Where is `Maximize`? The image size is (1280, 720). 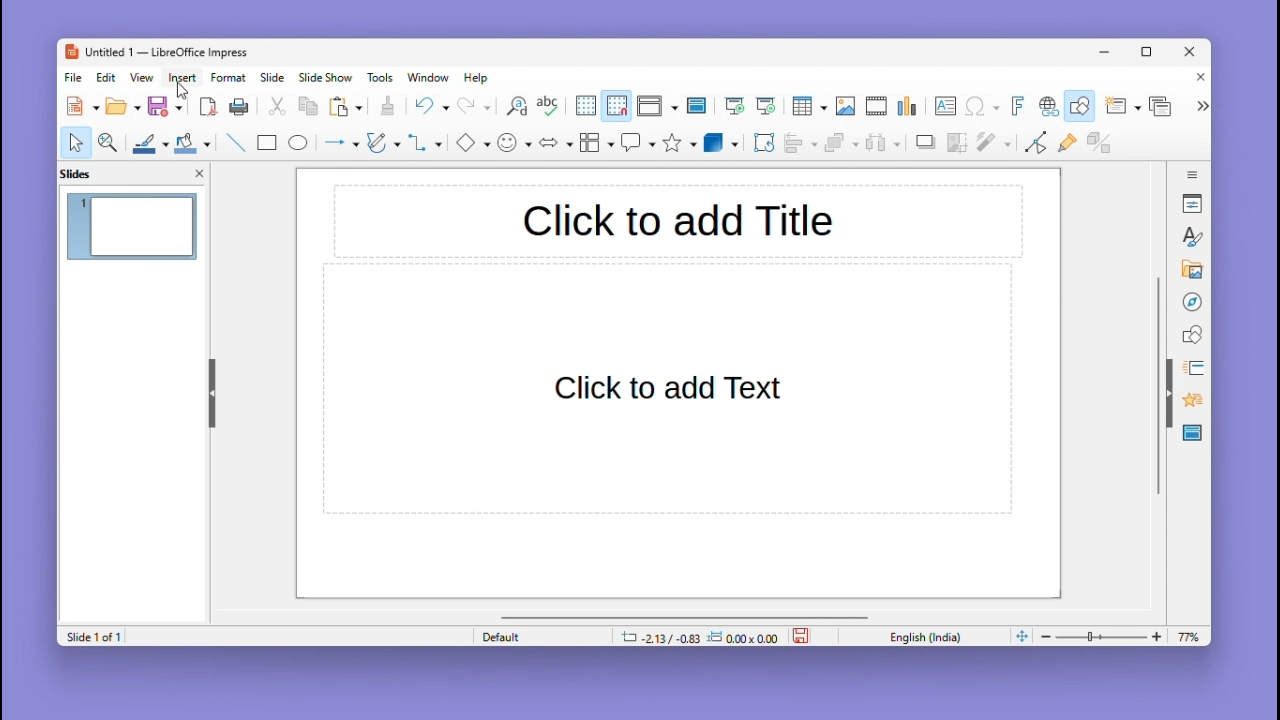
Maximize is located at coordinates (1150, 55).